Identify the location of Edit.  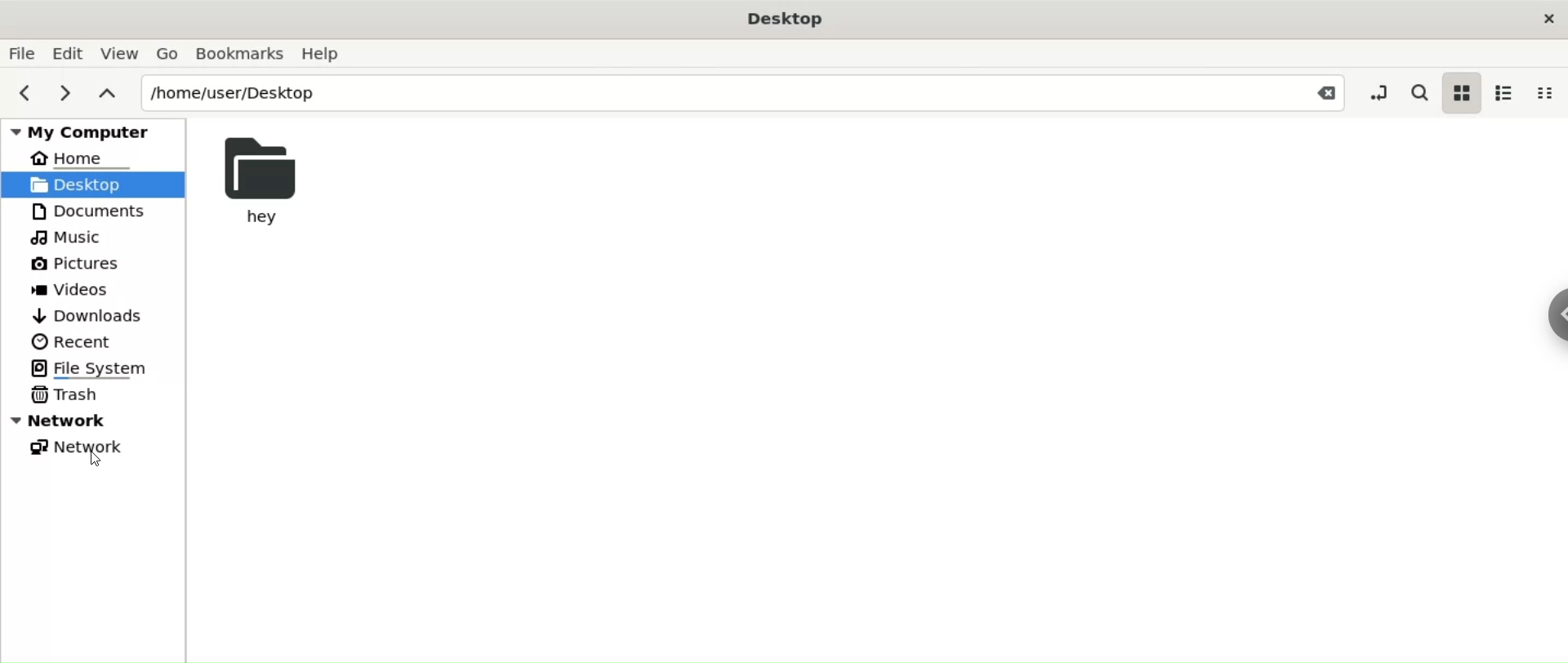
(69, 52).